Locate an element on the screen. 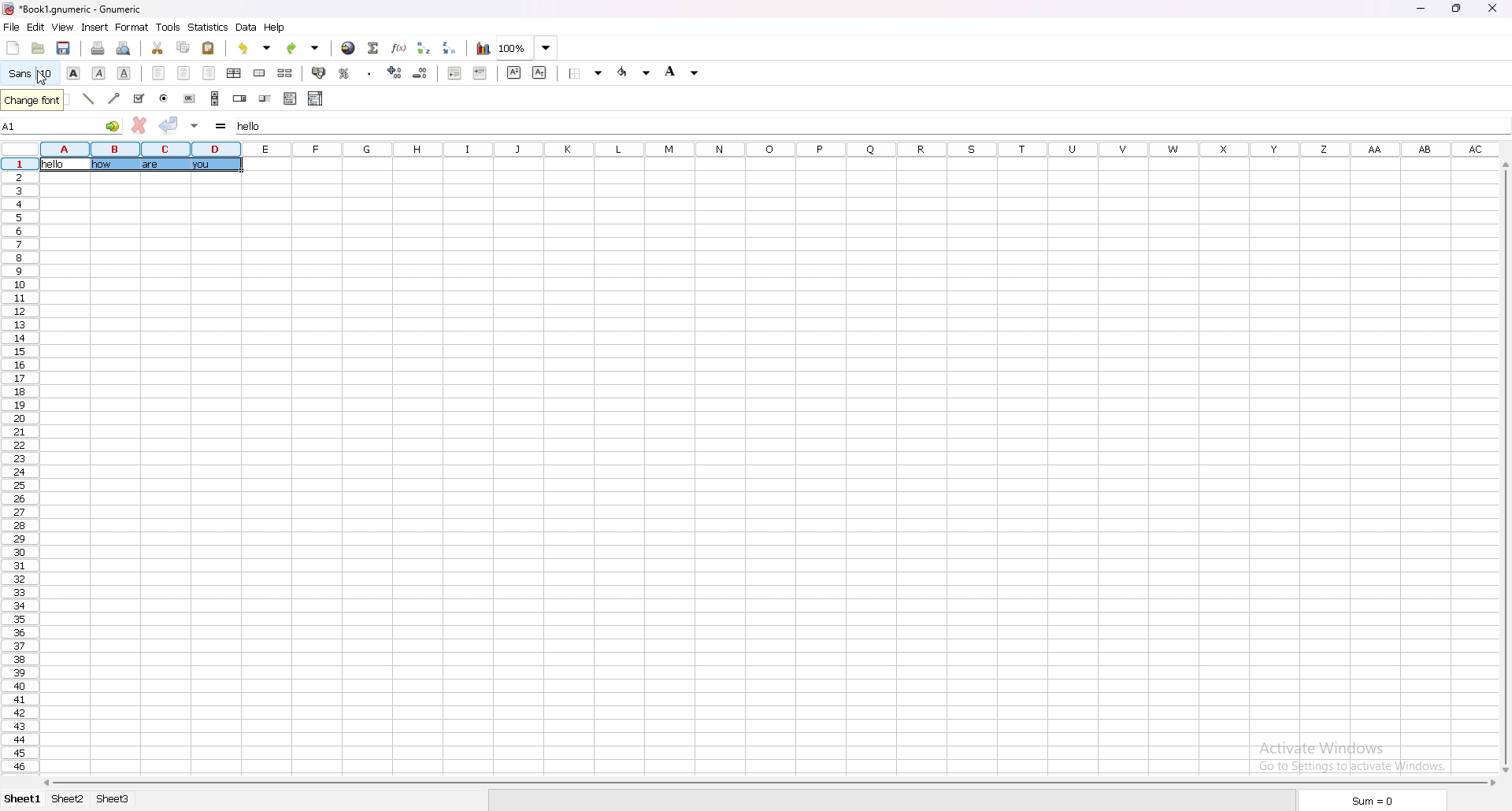 This screenshot has width=1512, height=811. cut is located at coordinates (157, 46).